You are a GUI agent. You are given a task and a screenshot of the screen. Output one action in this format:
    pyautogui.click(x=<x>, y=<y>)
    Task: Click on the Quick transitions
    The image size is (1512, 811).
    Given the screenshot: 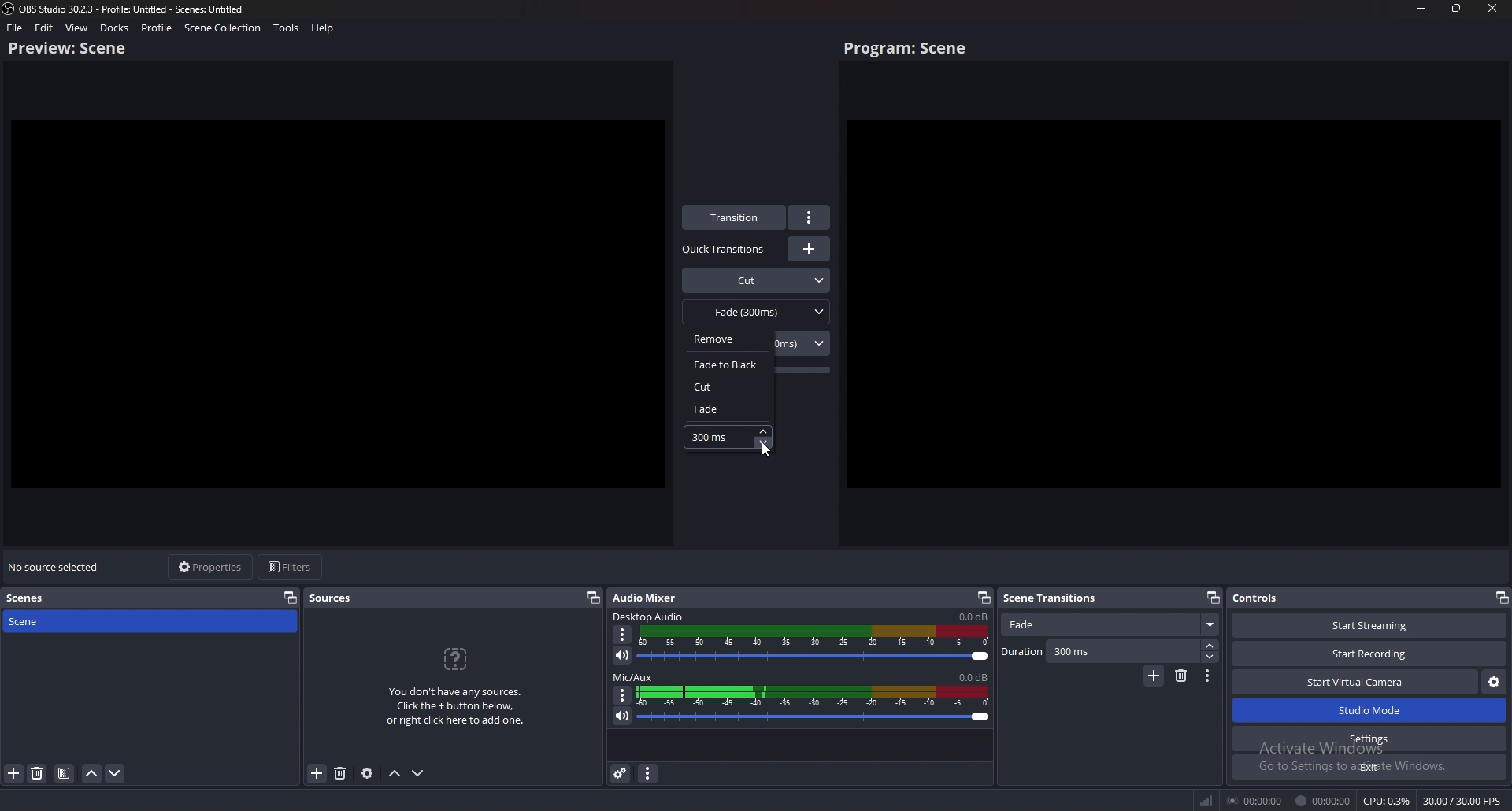 What is the action you would take?
    pyautogui.click(x=725, y=250)
    